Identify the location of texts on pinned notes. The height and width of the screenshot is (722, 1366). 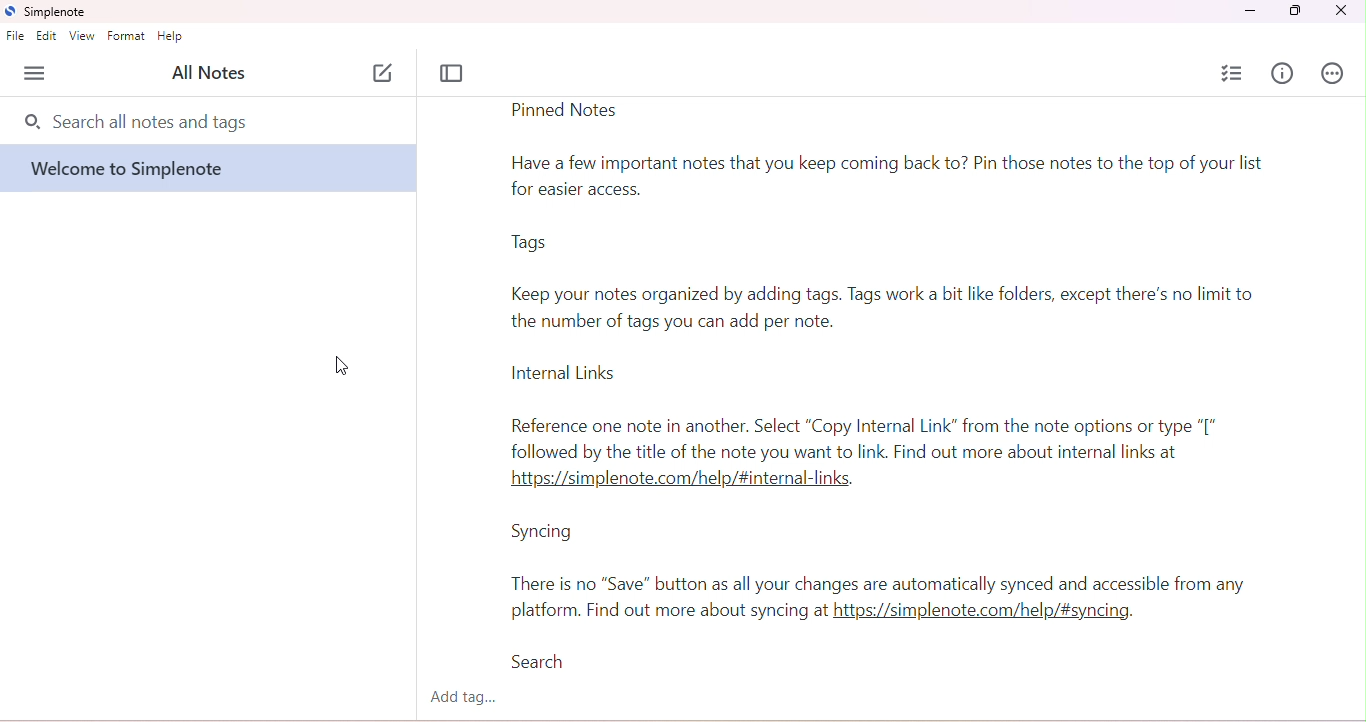
(891, 179).